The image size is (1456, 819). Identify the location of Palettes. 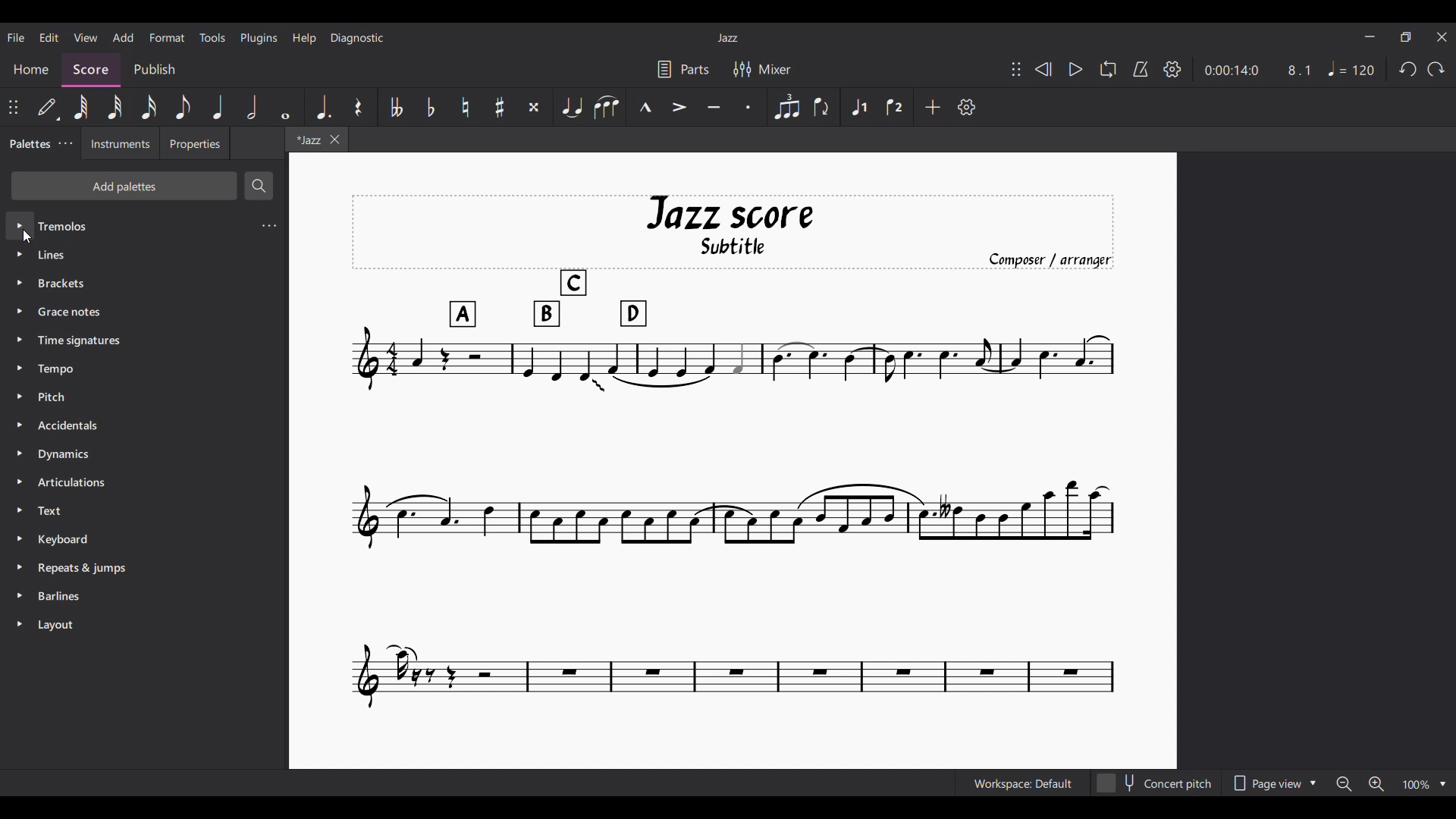
(28, 143).